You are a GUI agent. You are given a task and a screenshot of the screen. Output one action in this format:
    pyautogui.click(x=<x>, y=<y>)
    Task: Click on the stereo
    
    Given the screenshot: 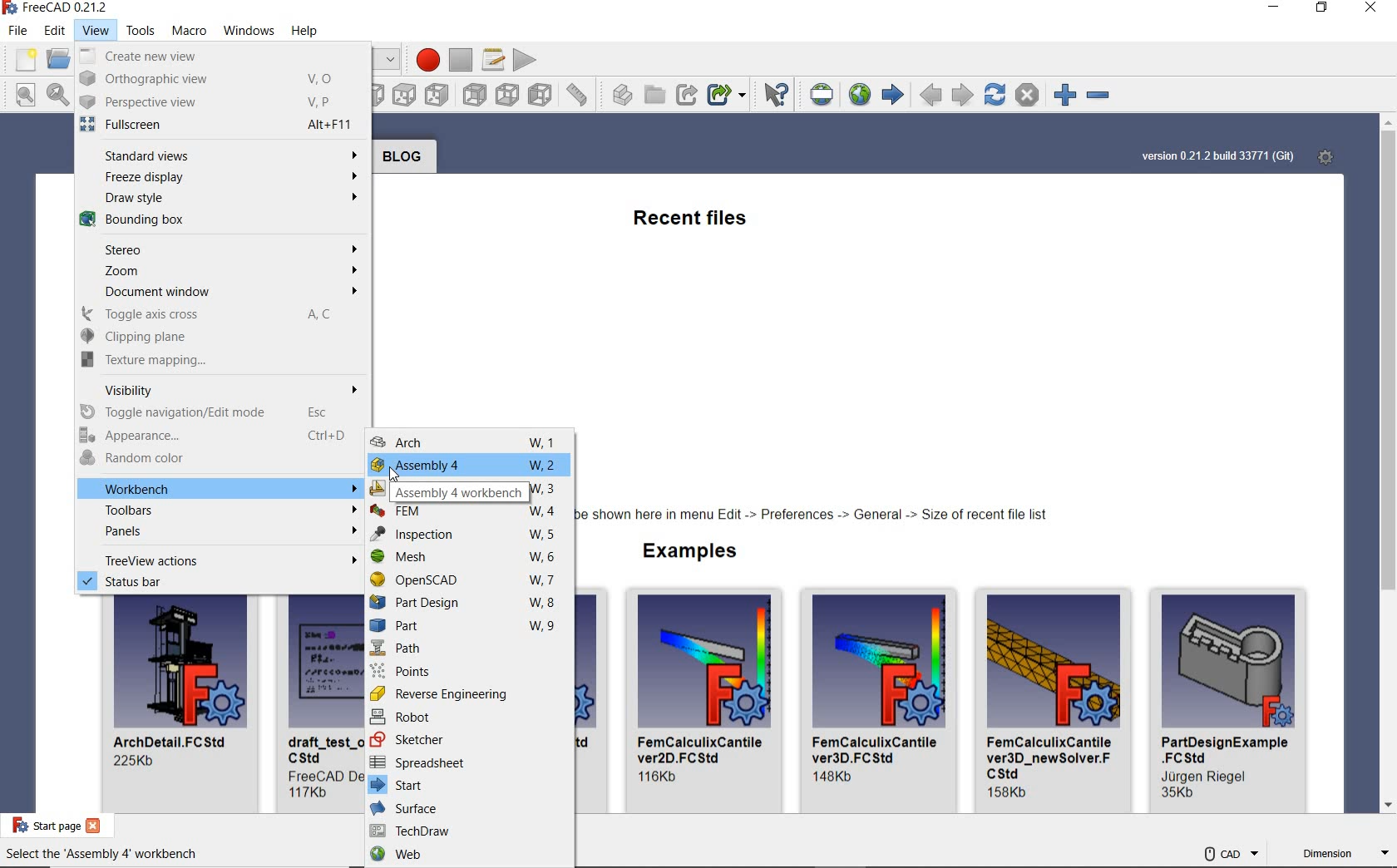 What is the action you would take?
    pyautogui.click(x=220, y=250)
    